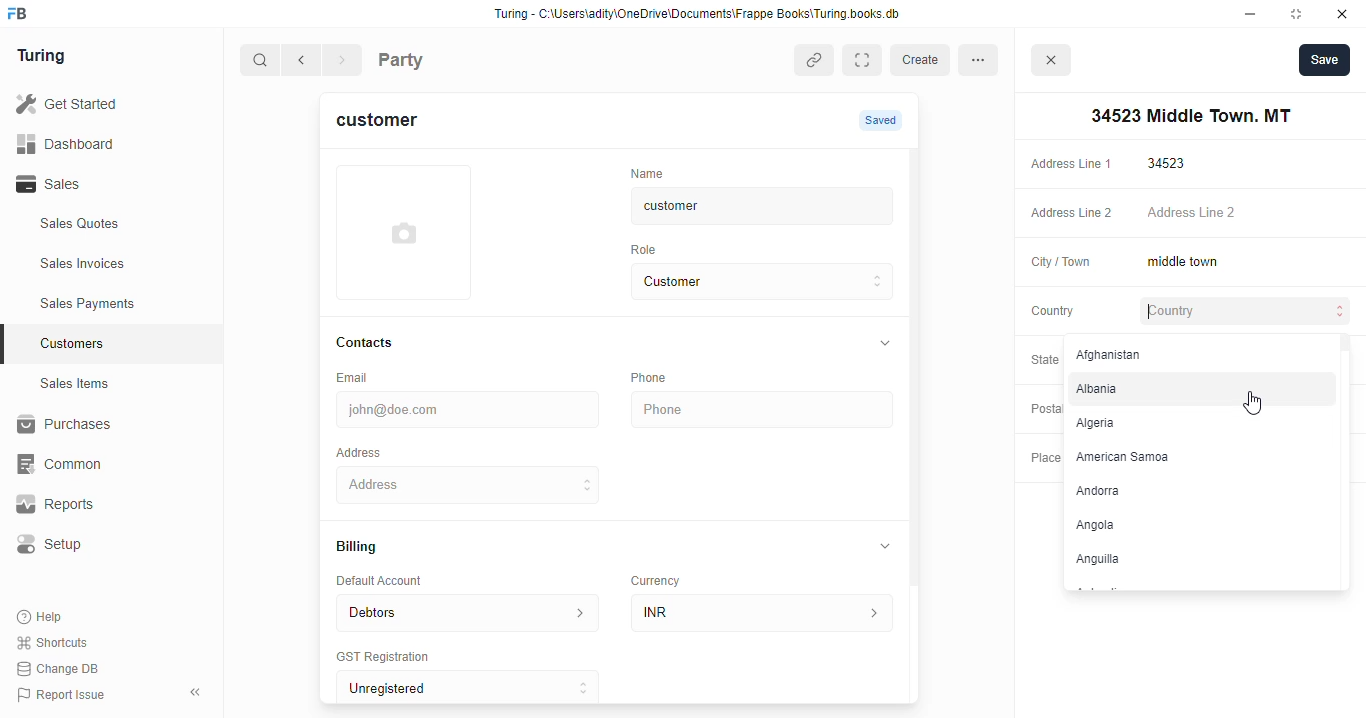  Describe the element at coordinates (1061, 264) in the screenshot. I see `City / Town` at that location.